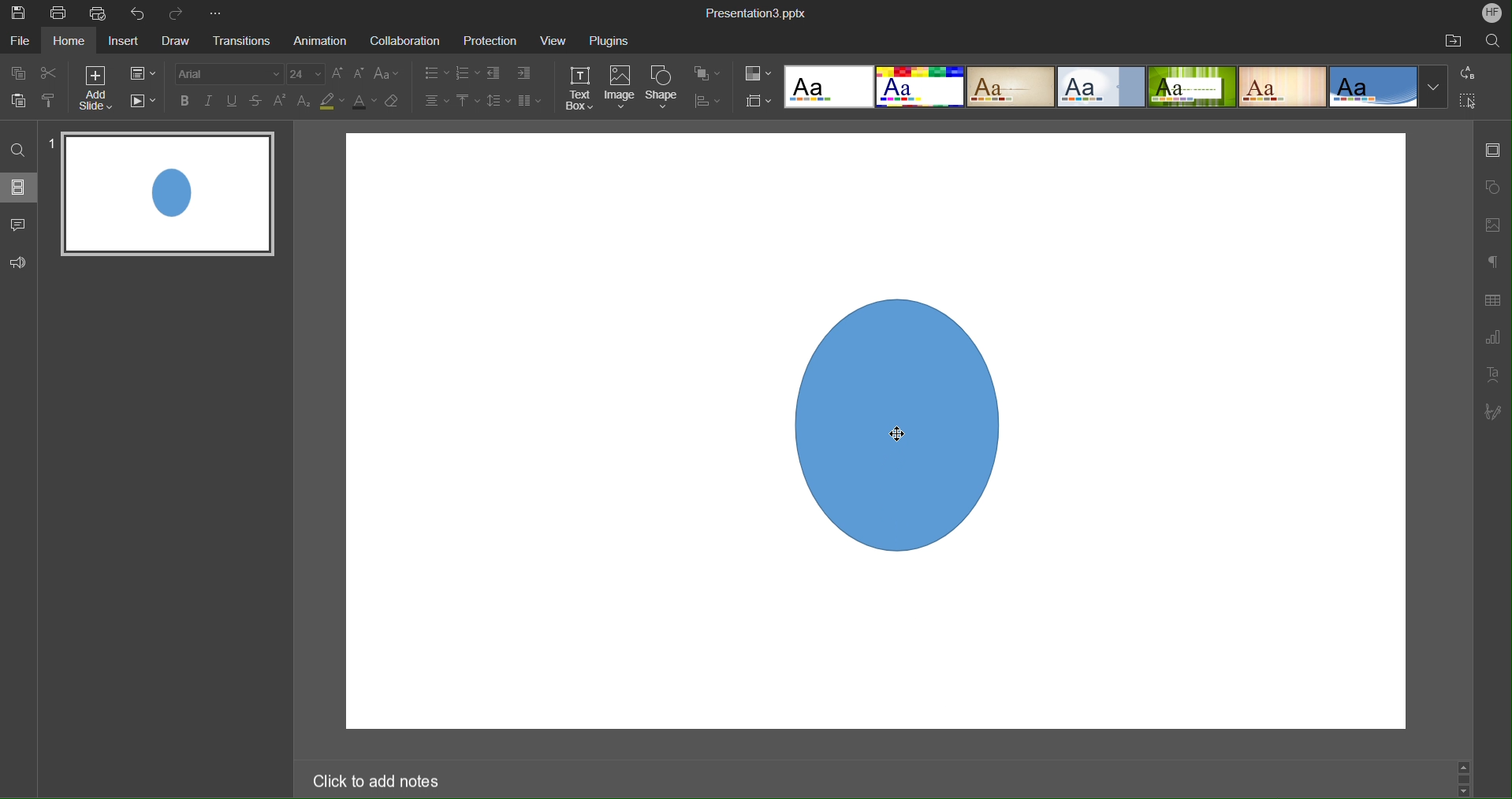 The width and height of the screenshot is (1512, 799). I want to click on 24, so click(307, 74).